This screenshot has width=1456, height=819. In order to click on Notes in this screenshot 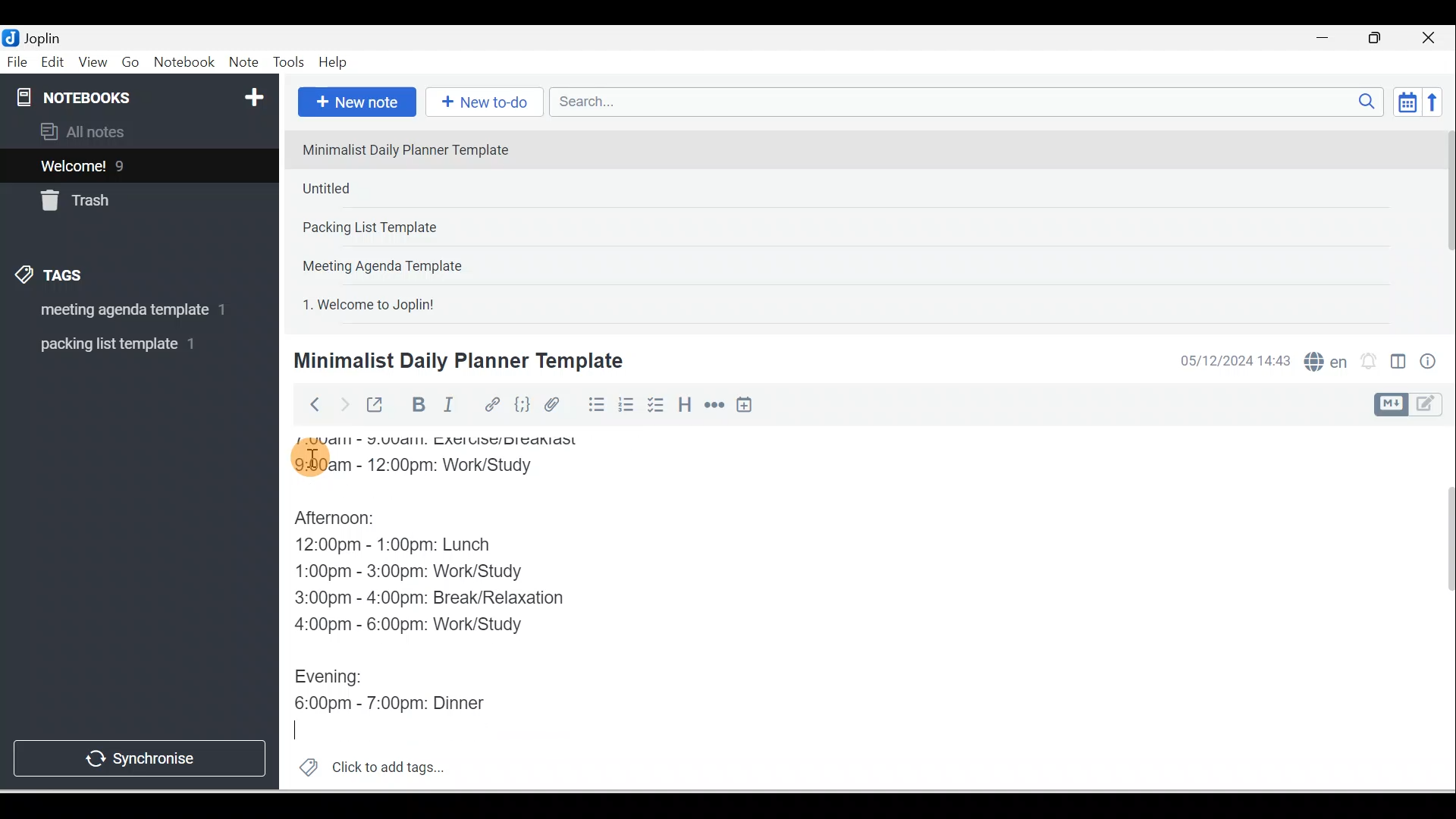, I will do `click(128, 162)`.